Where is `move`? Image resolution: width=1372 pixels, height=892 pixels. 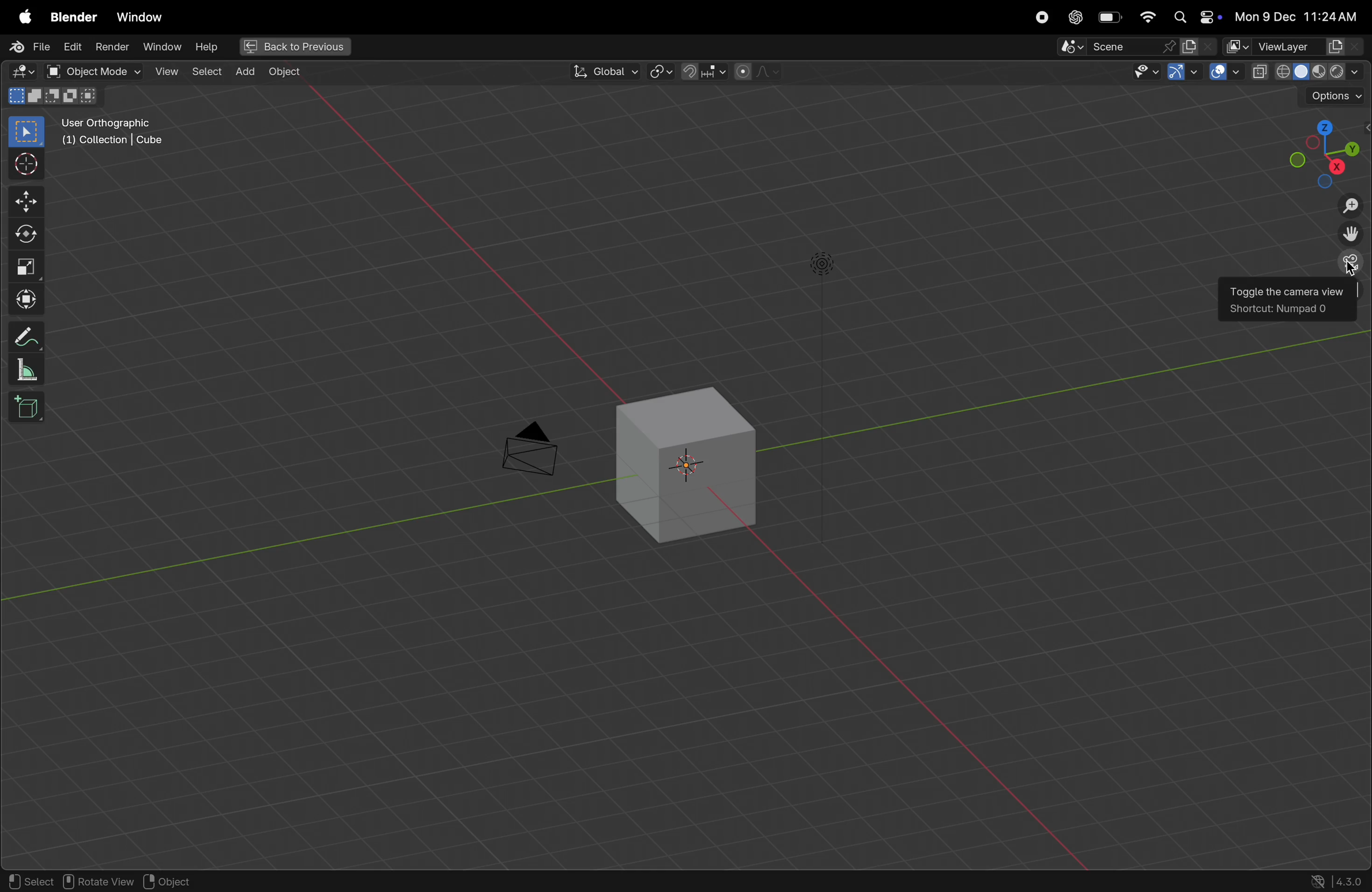
move is located at coordinates (24, 201).